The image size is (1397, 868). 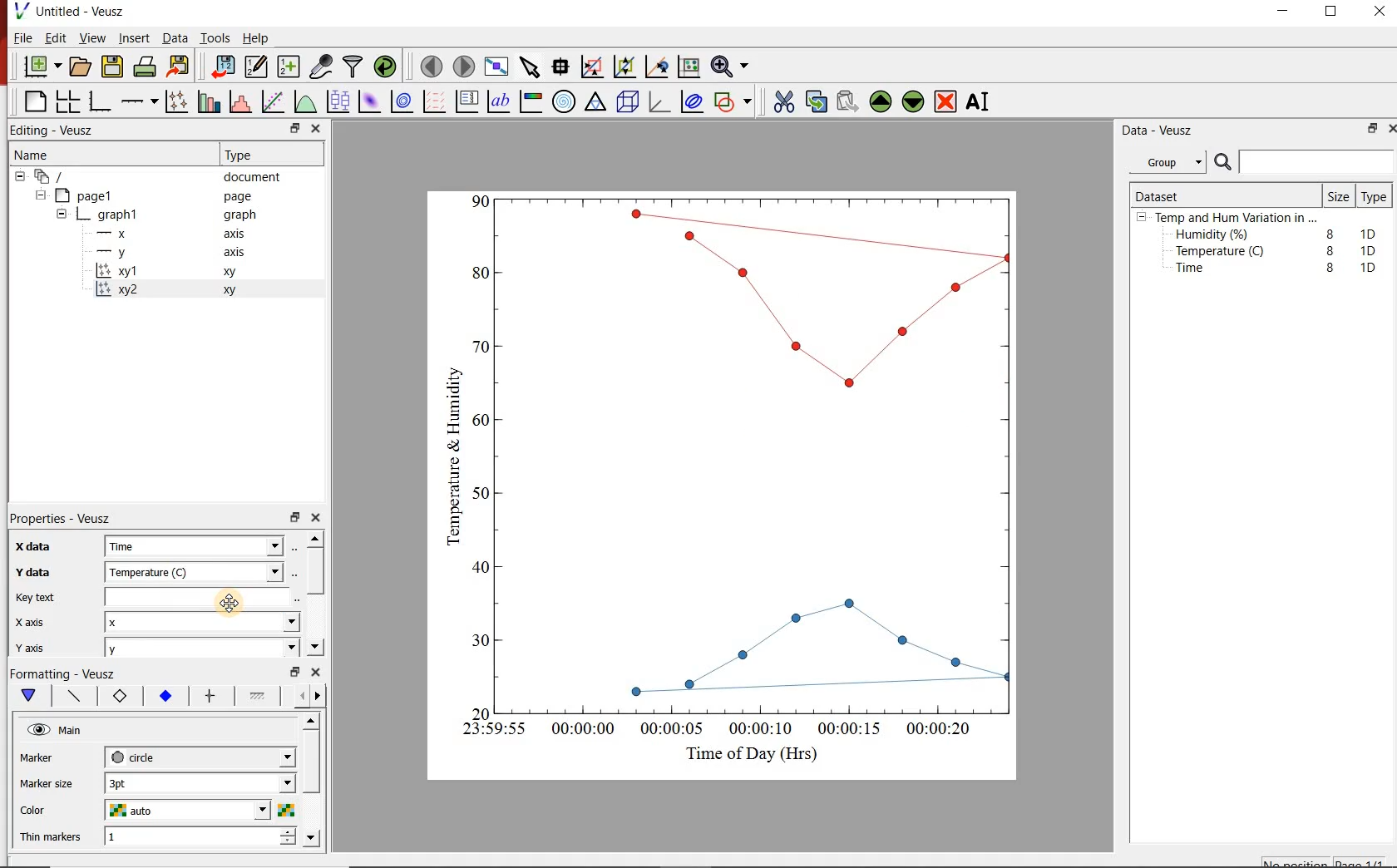 I want to click on page1, so click(x=93, y=195).